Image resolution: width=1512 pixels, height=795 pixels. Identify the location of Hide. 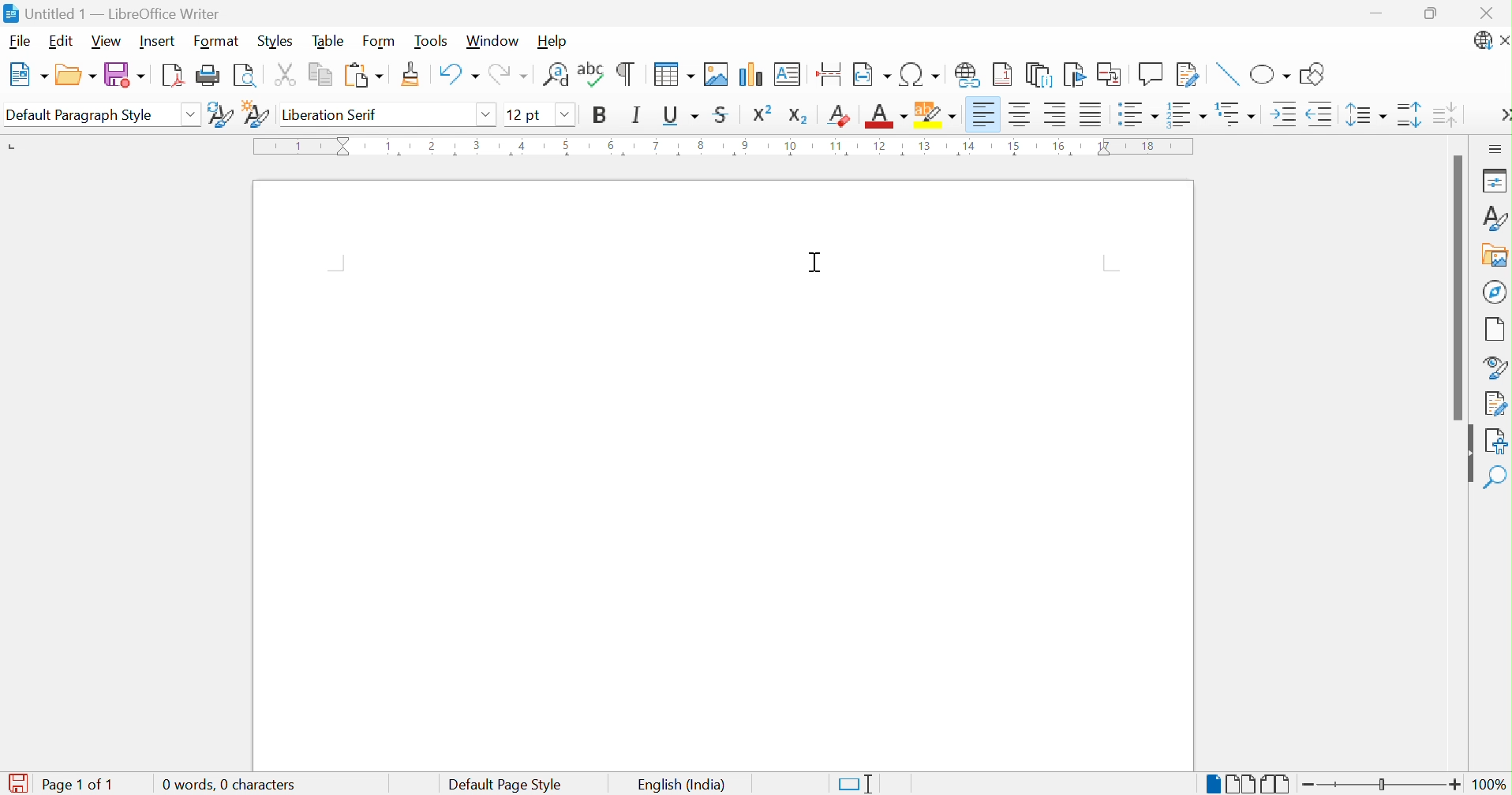
(1465, 453).